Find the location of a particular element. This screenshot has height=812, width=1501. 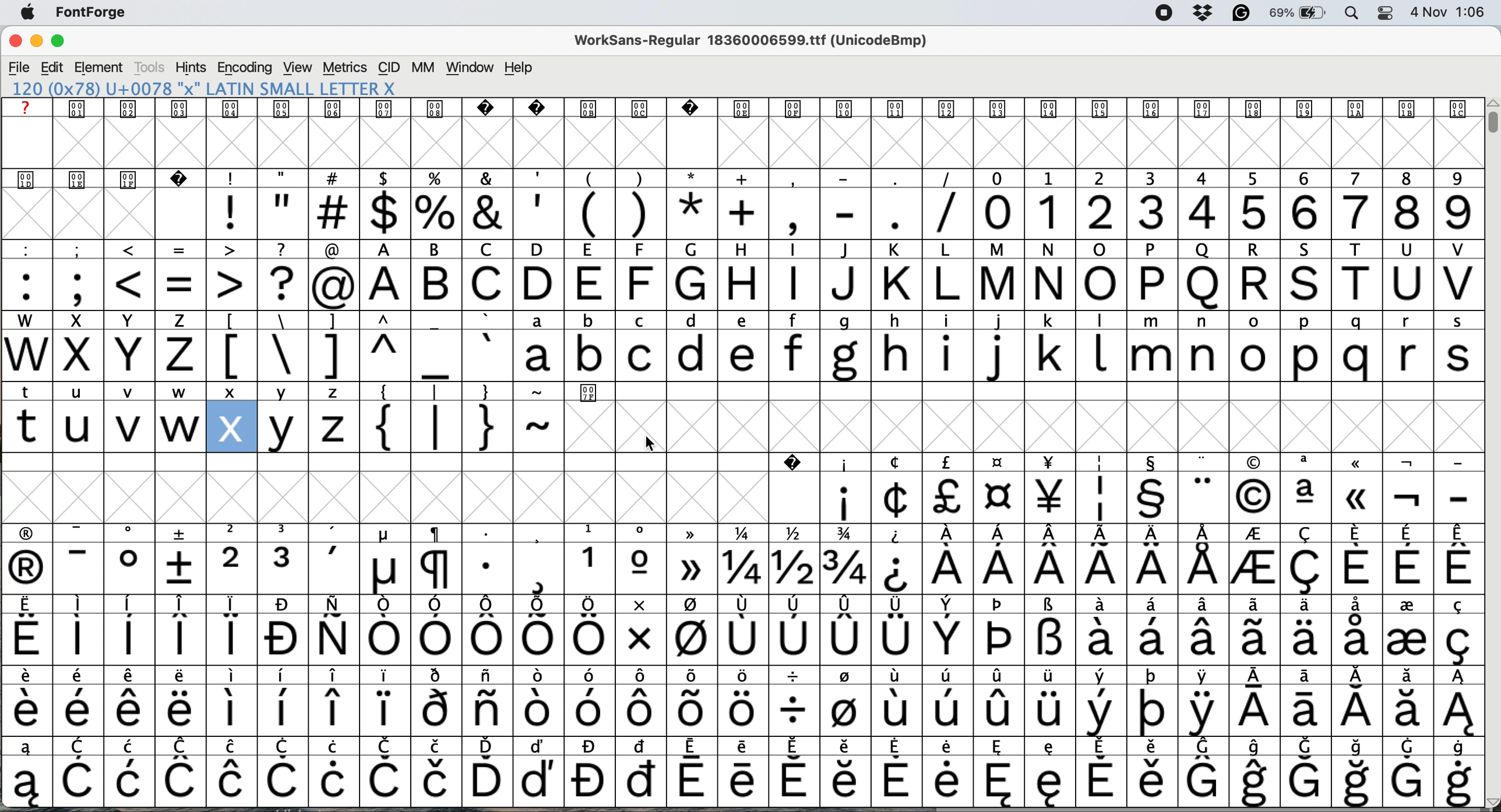

cid is located at coordinates (389, 68).